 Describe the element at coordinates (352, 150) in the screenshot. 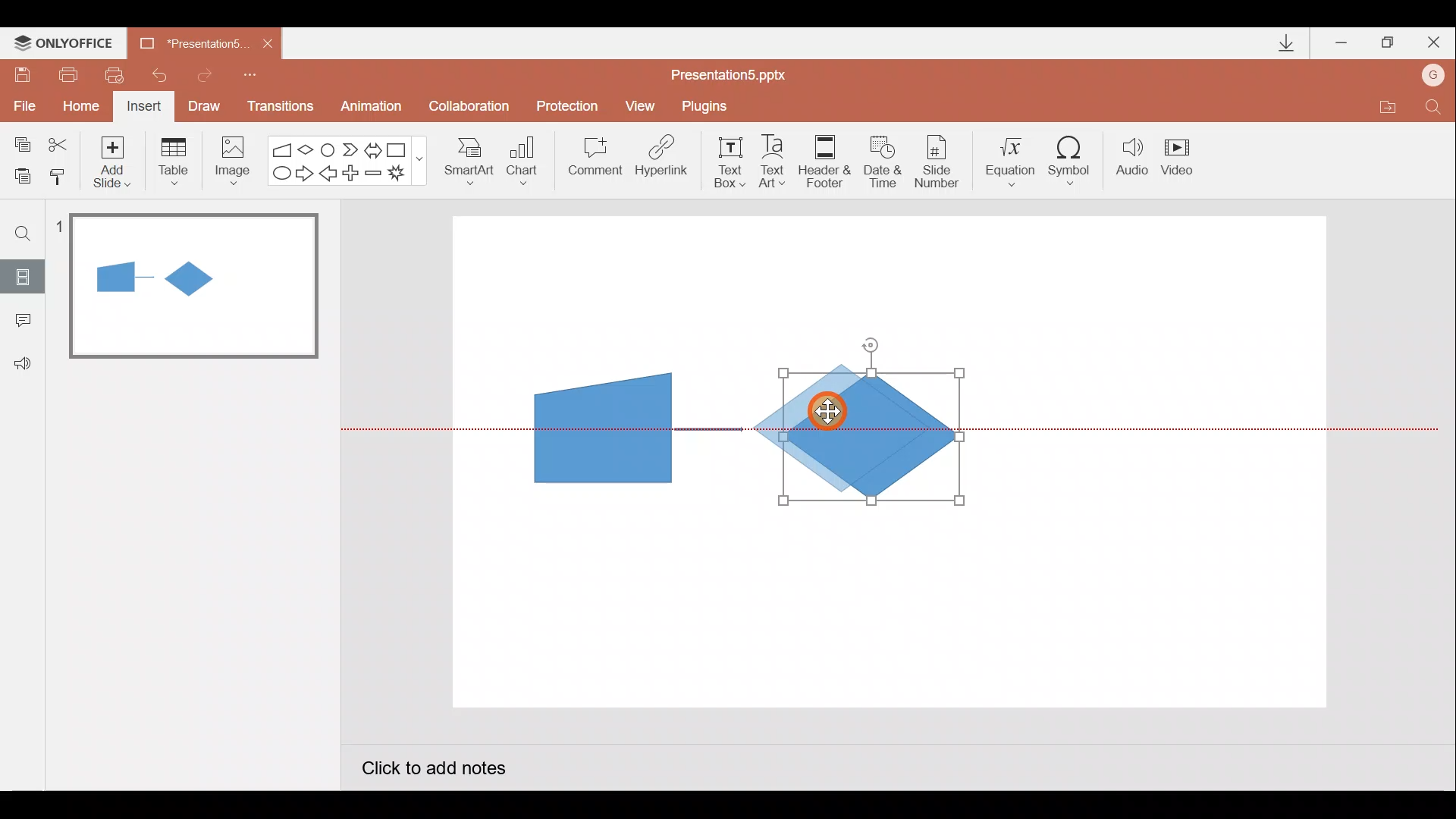

I see `Chevron` at that location.